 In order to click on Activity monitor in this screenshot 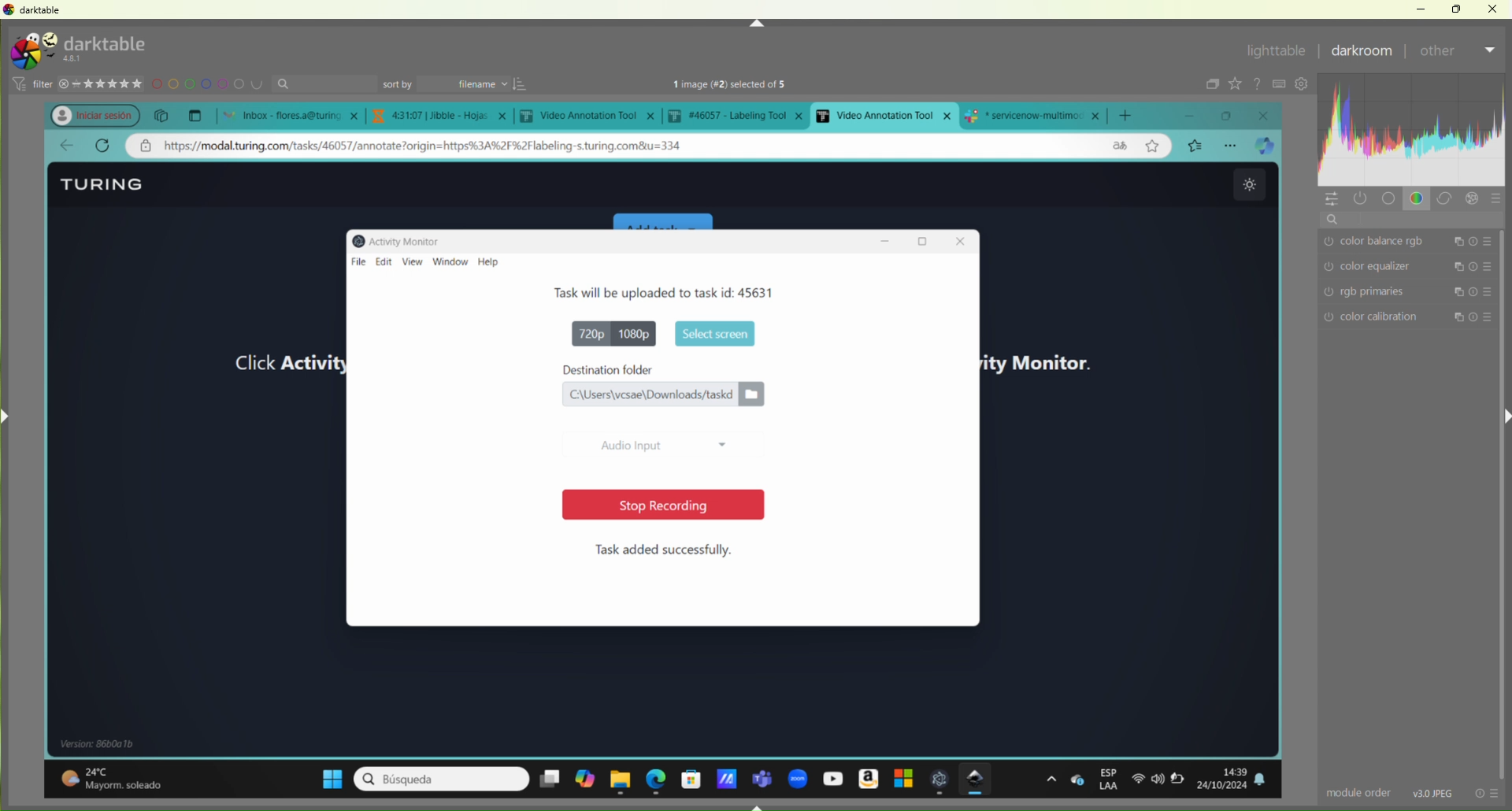, I will do `click(402, 239)`.